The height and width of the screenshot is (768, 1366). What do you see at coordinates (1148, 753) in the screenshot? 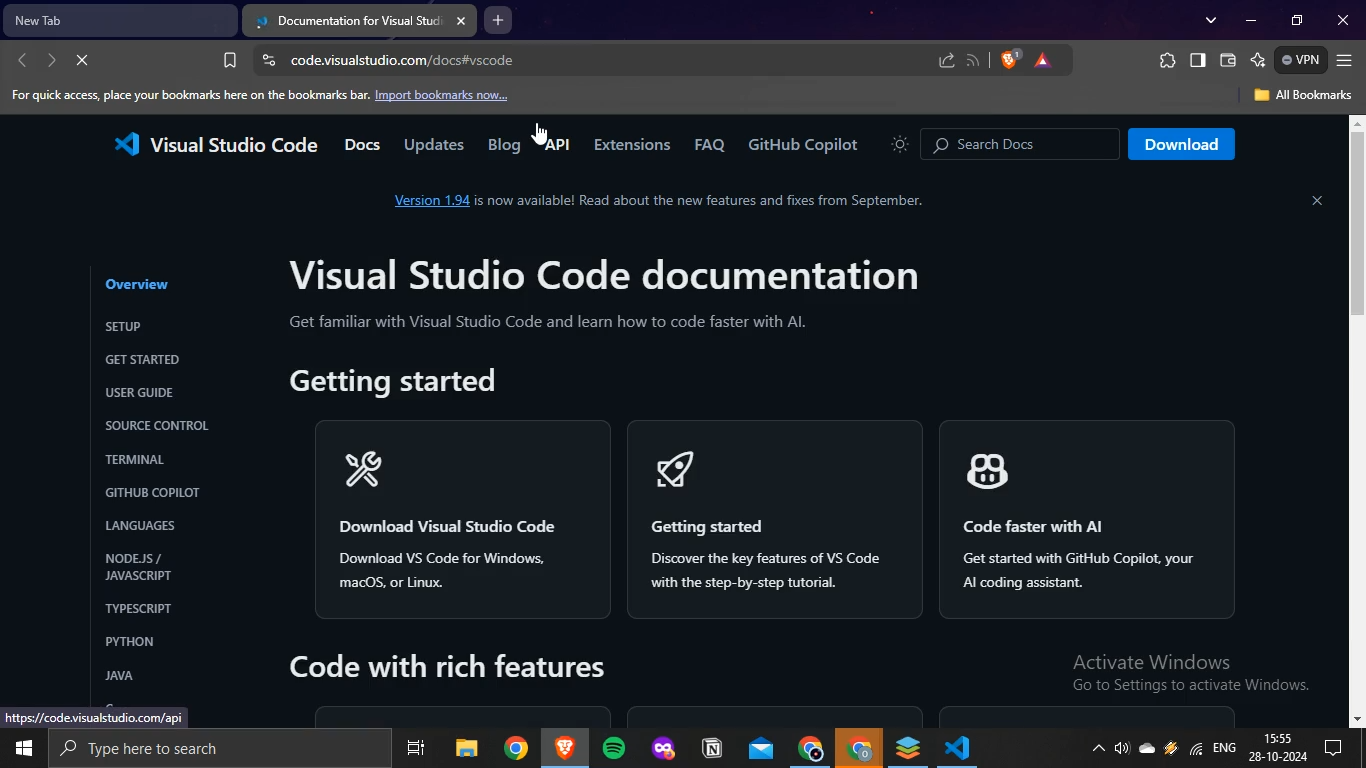
I see `onedrive` at bounding box center [1148, 753].